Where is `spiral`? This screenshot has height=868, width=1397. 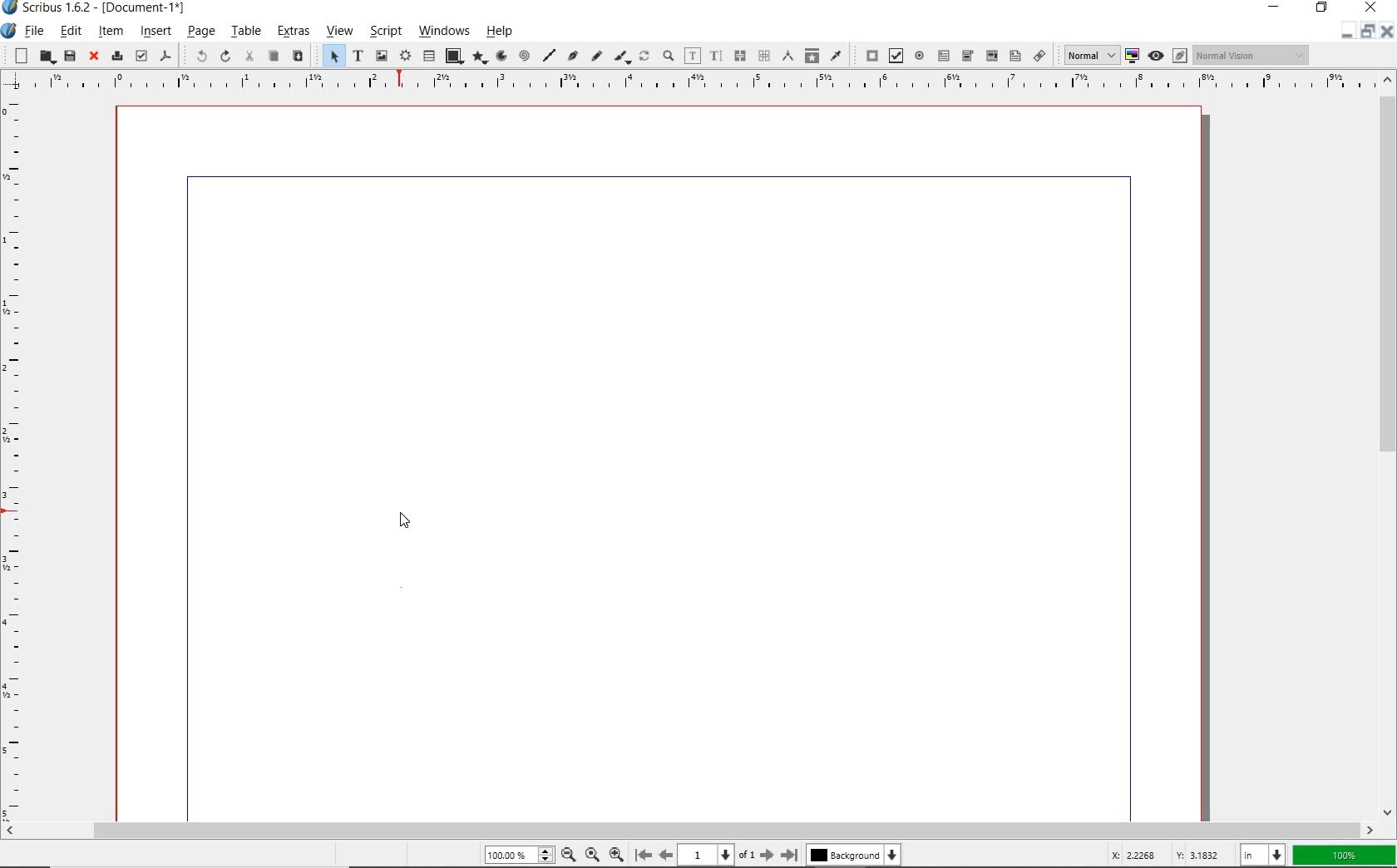
spiral is located at coordinates (524, 57).